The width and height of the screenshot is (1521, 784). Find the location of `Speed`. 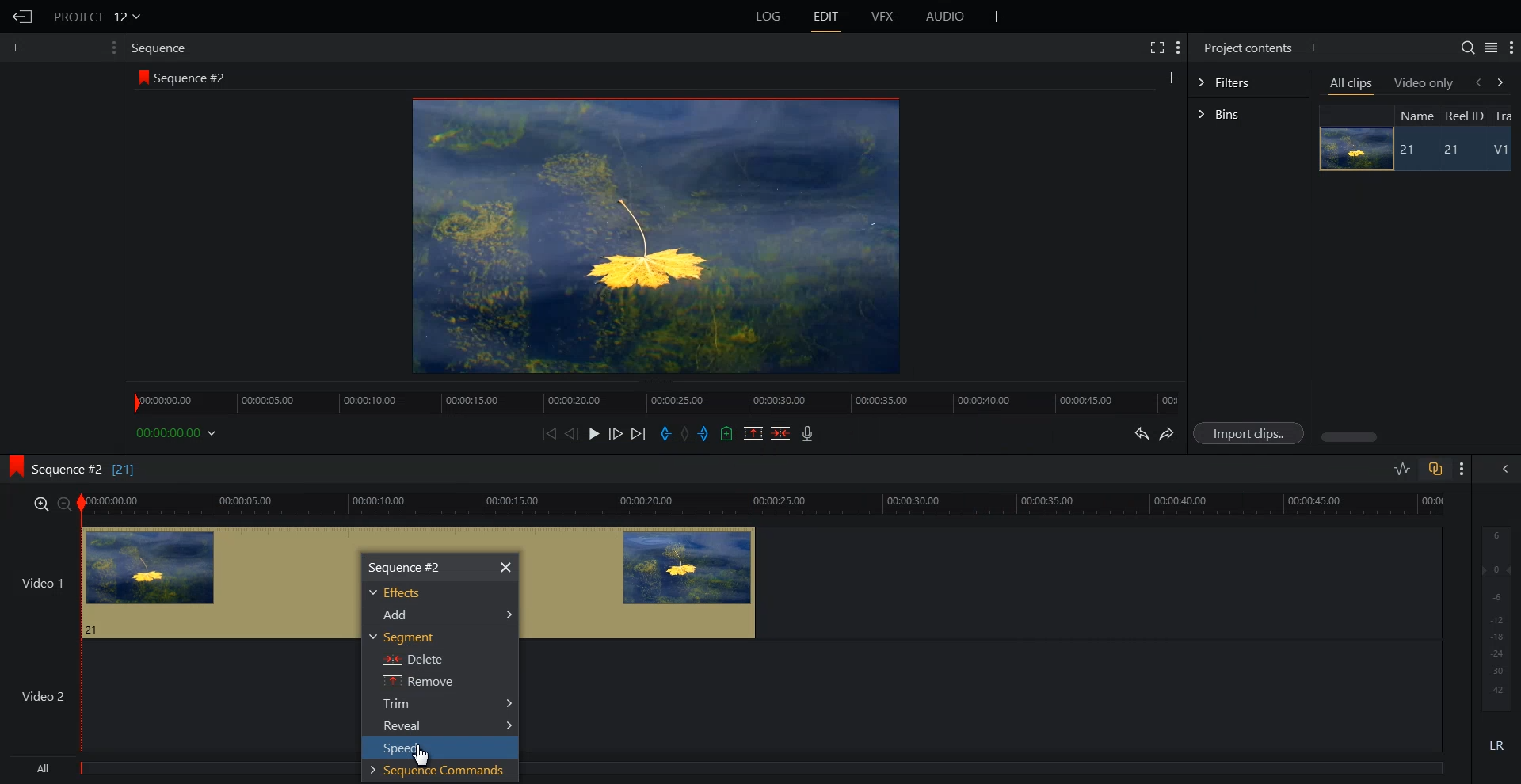

Speed is located at coordinates (434, 749).